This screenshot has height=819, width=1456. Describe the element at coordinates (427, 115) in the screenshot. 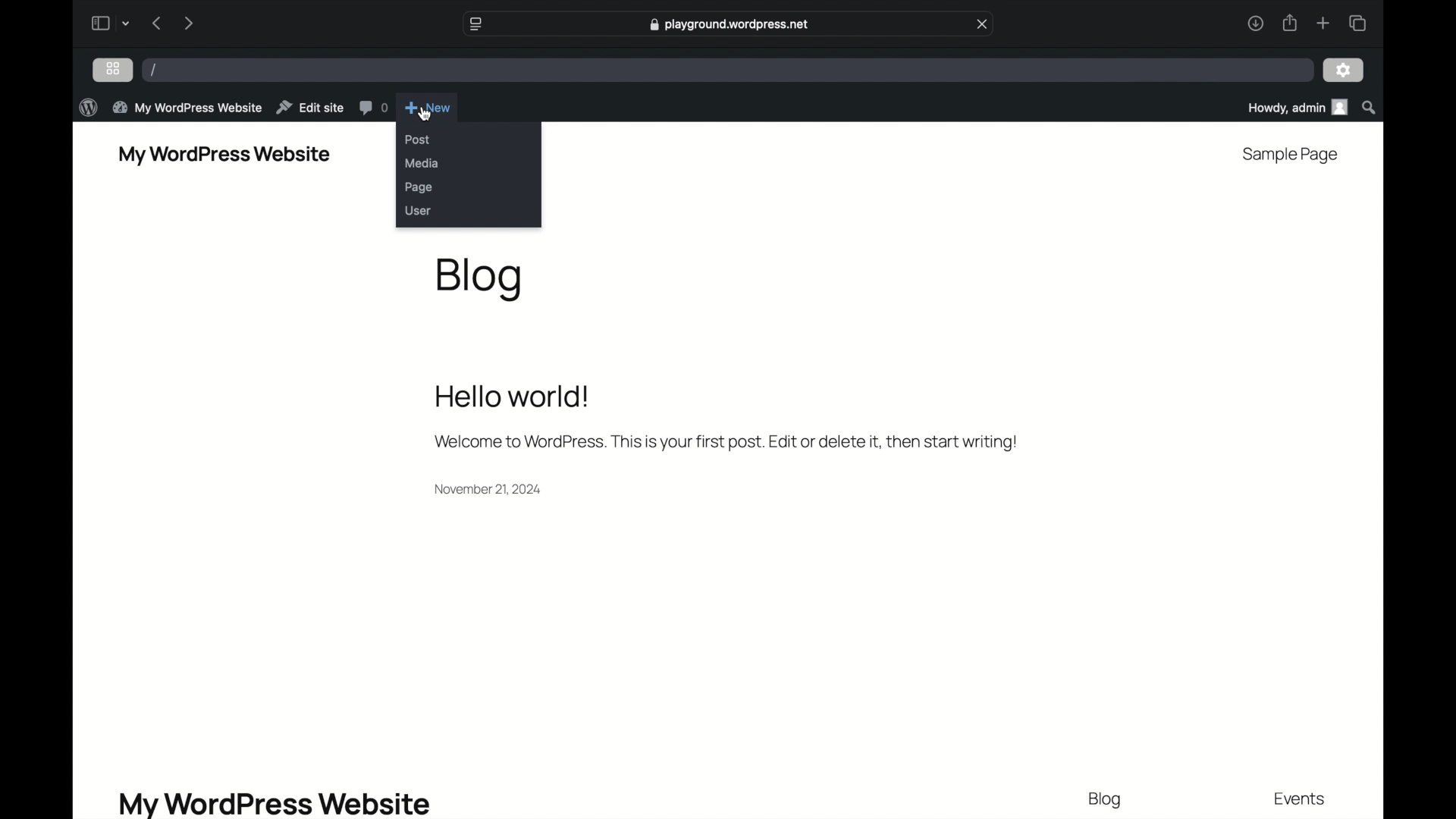

I see `cursor` at that location.